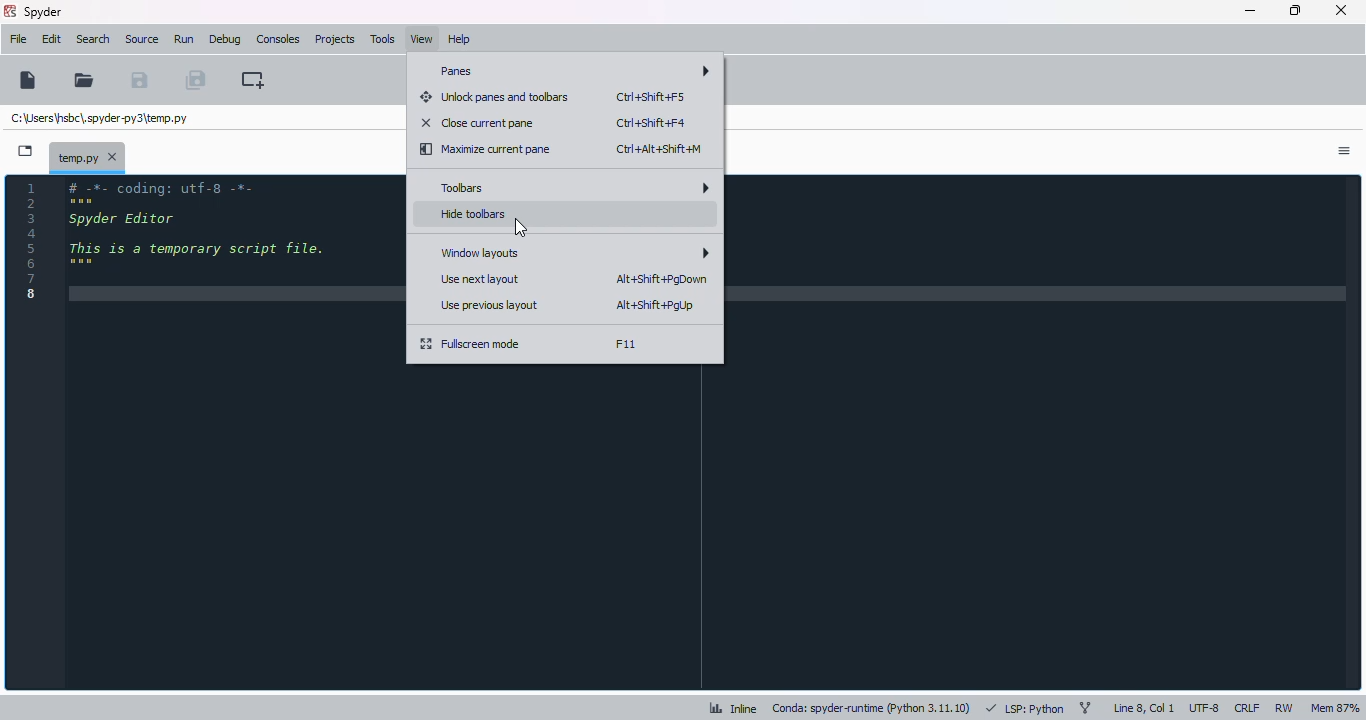  I want to click on shortcut for use next layout, so click(663, 279).